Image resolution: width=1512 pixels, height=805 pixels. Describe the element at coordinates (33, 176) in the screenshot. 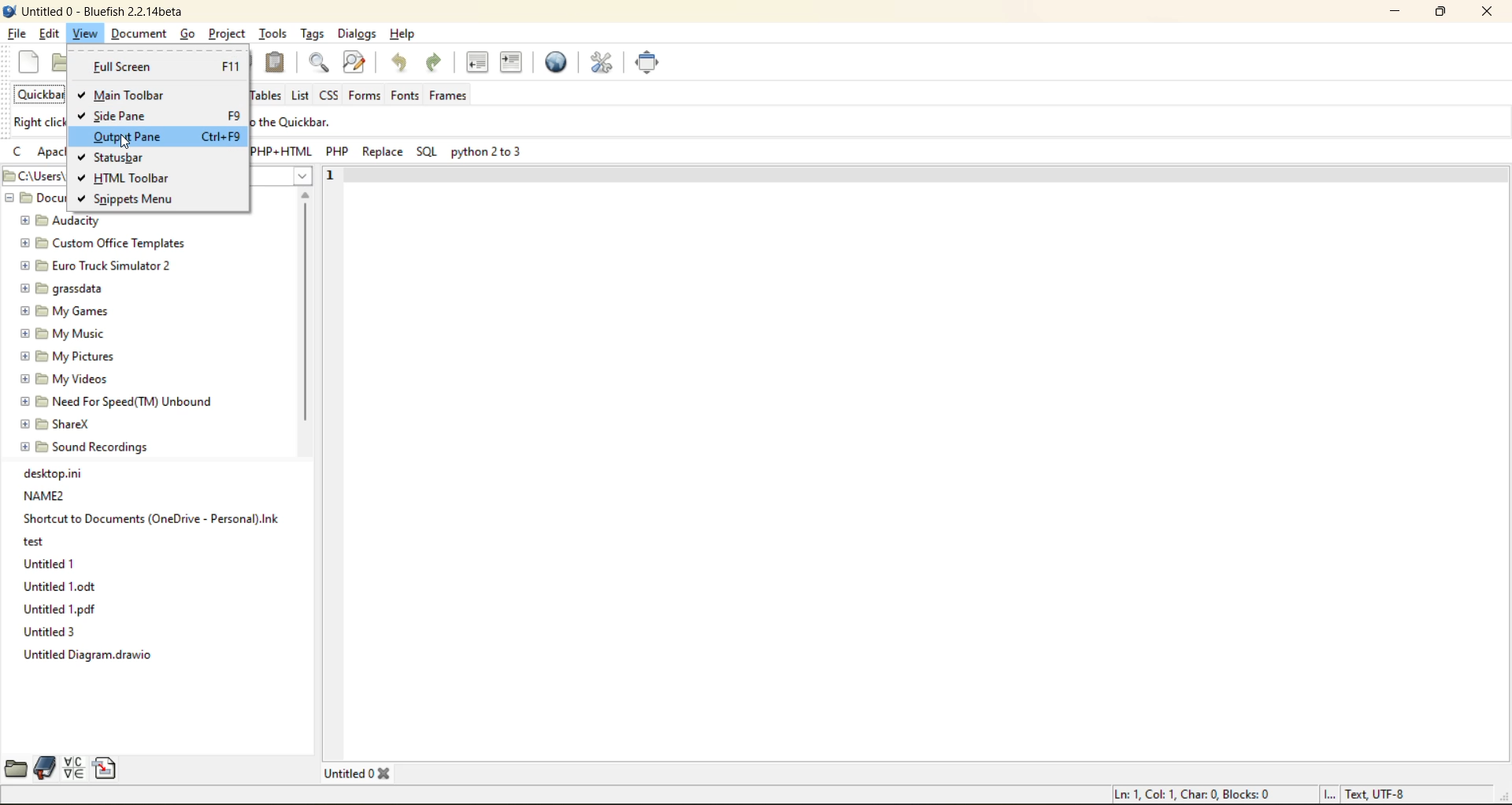

I see `file location` at that location.